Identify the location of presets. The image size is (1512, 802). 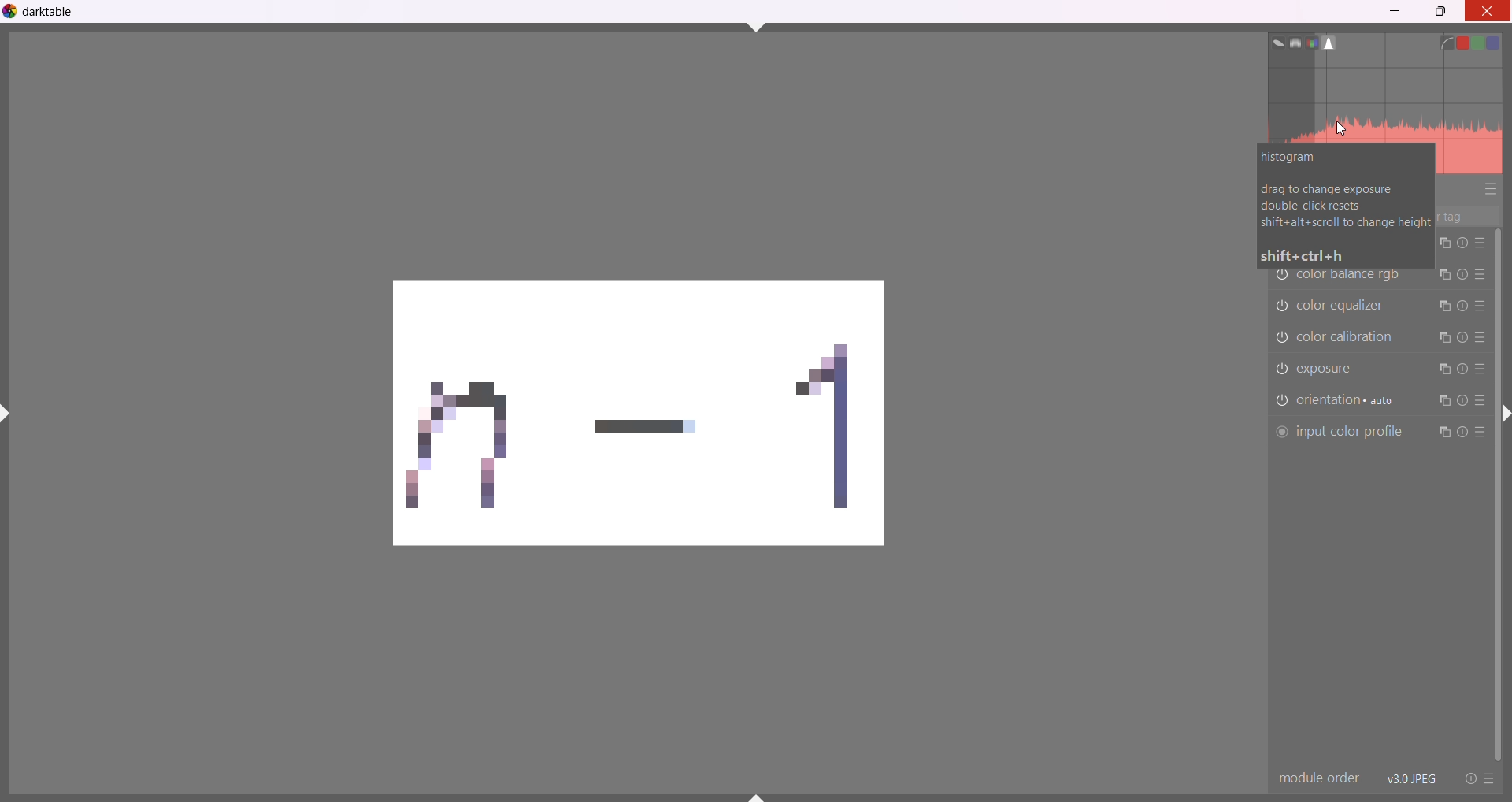
(1480, 306).